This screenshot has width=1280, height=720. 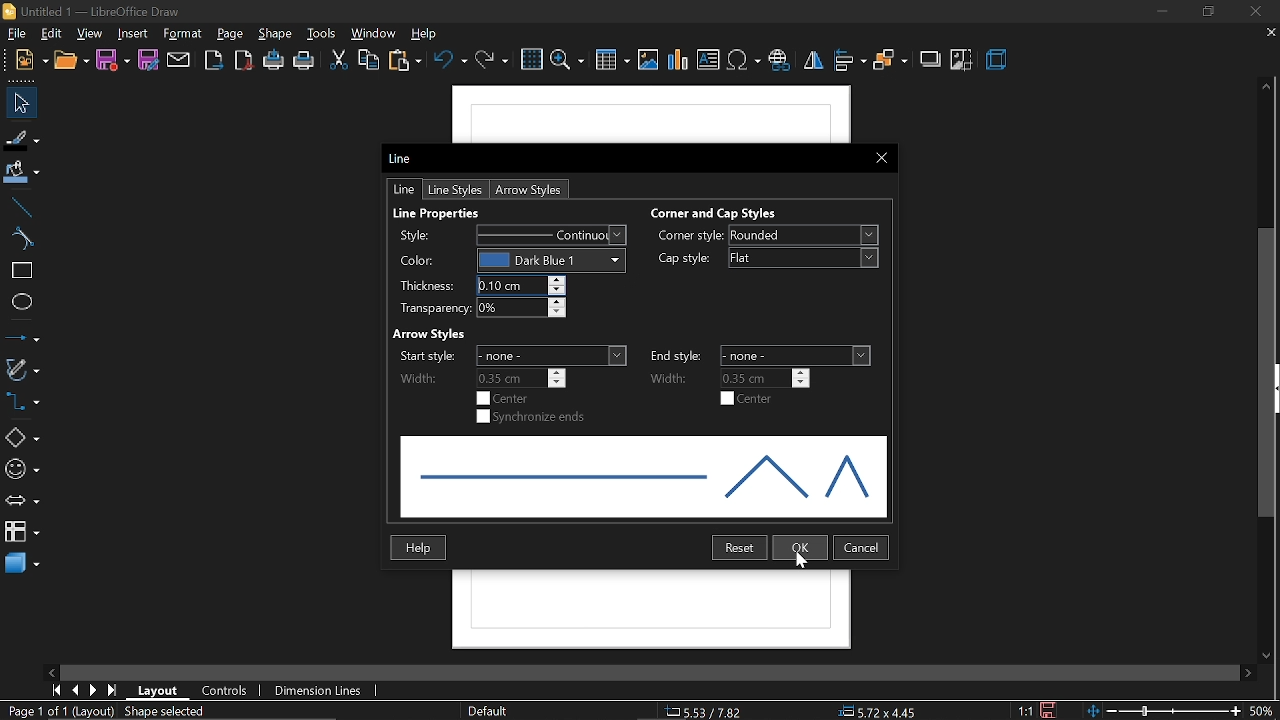 I want to click on controls, so click(x=230, y=692).